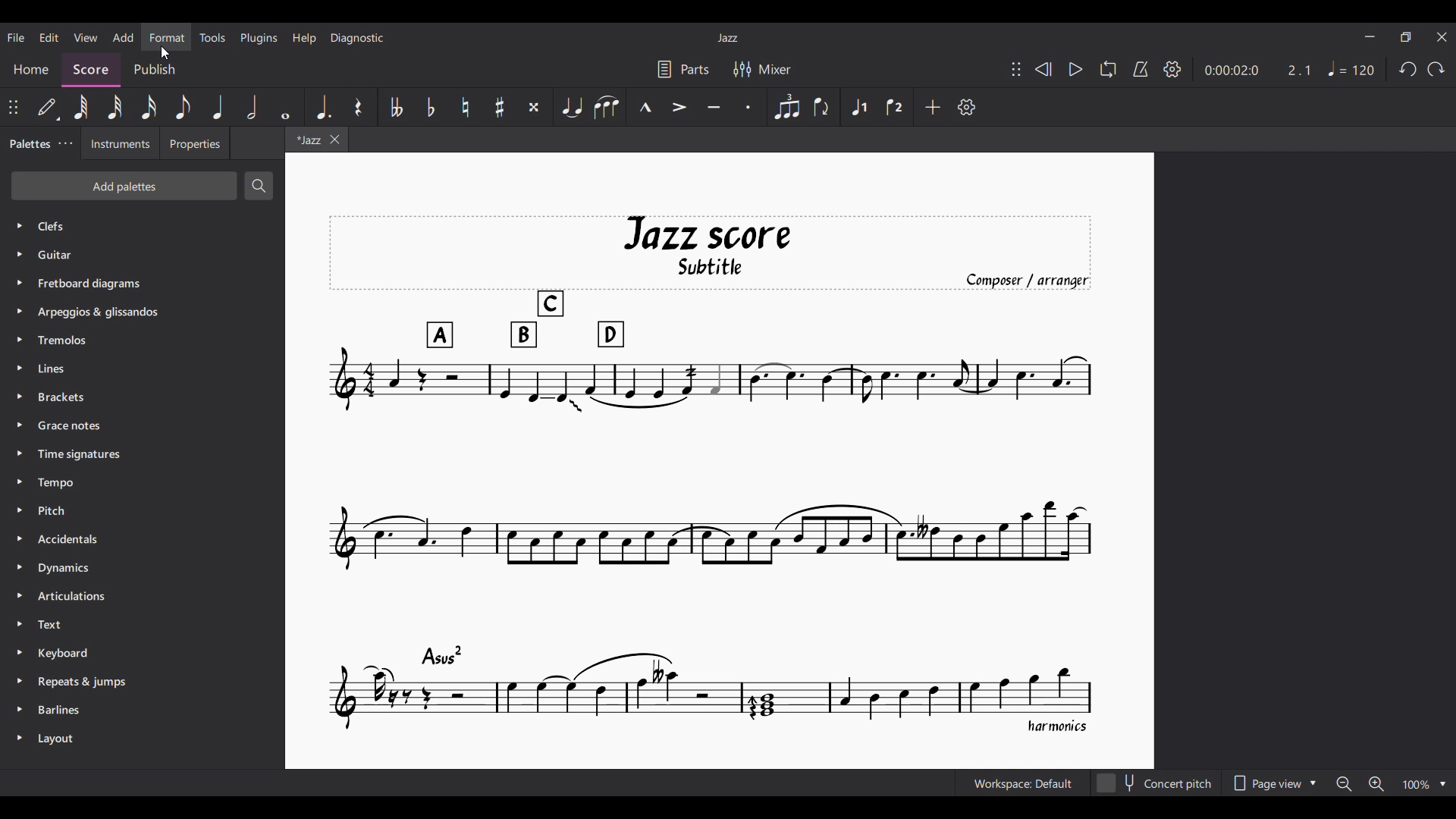 The image size is (1456, 819). Describe the element at coordinates (85, 37) in the screenshot. I see `View menu` at that location.